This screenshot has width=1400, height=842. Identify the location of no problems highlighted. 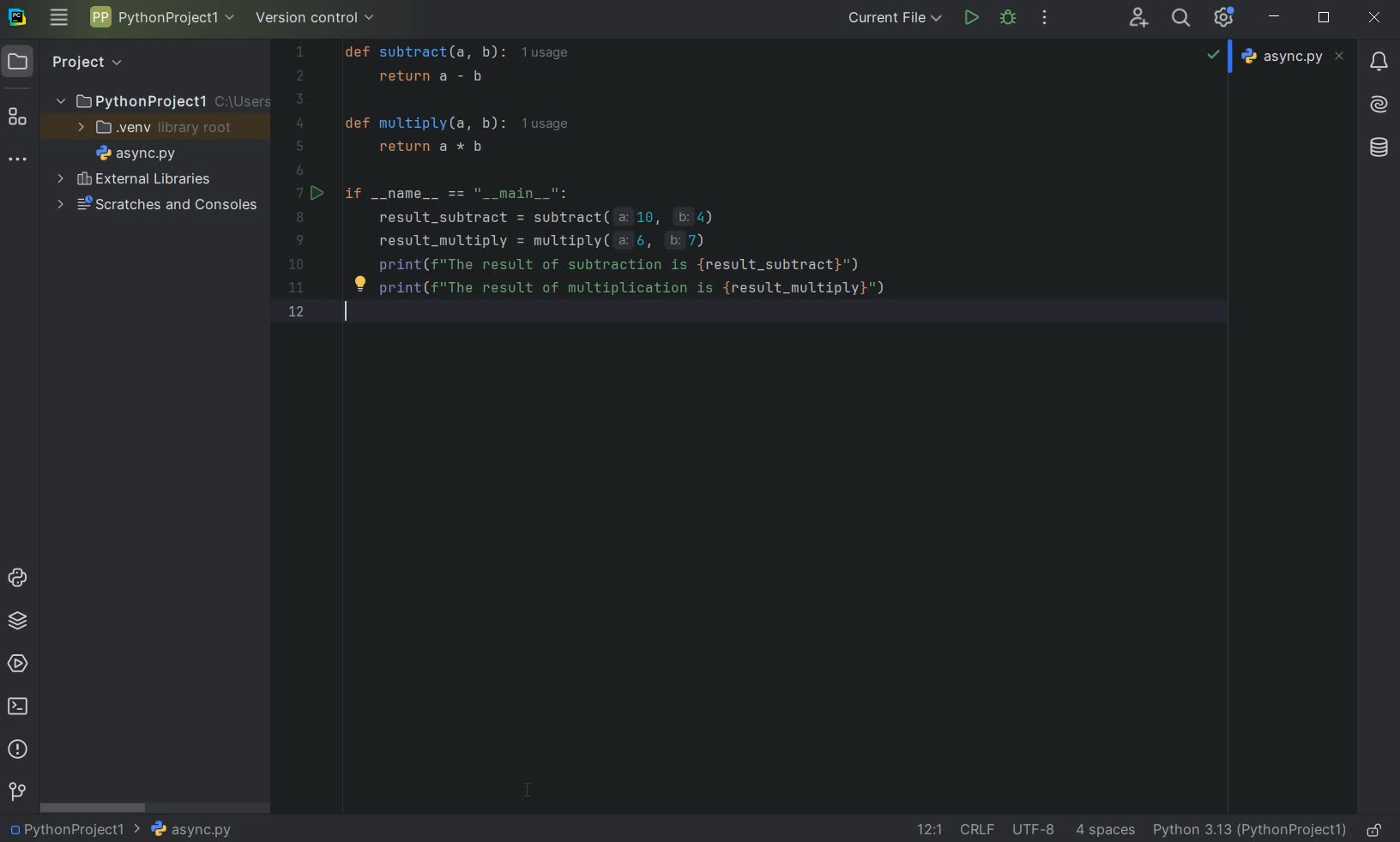
(1216, 57).